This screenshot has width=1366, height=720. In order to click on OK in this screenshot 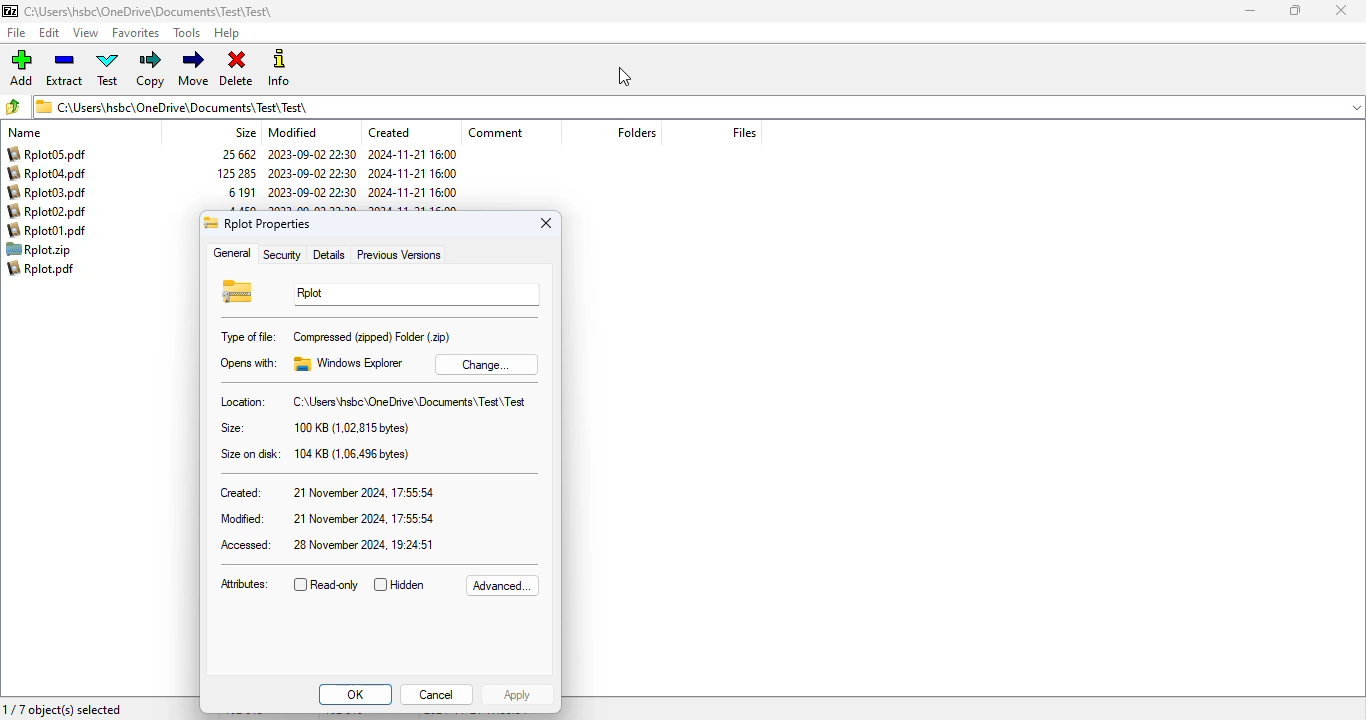, I will do `click(355, 695)`.